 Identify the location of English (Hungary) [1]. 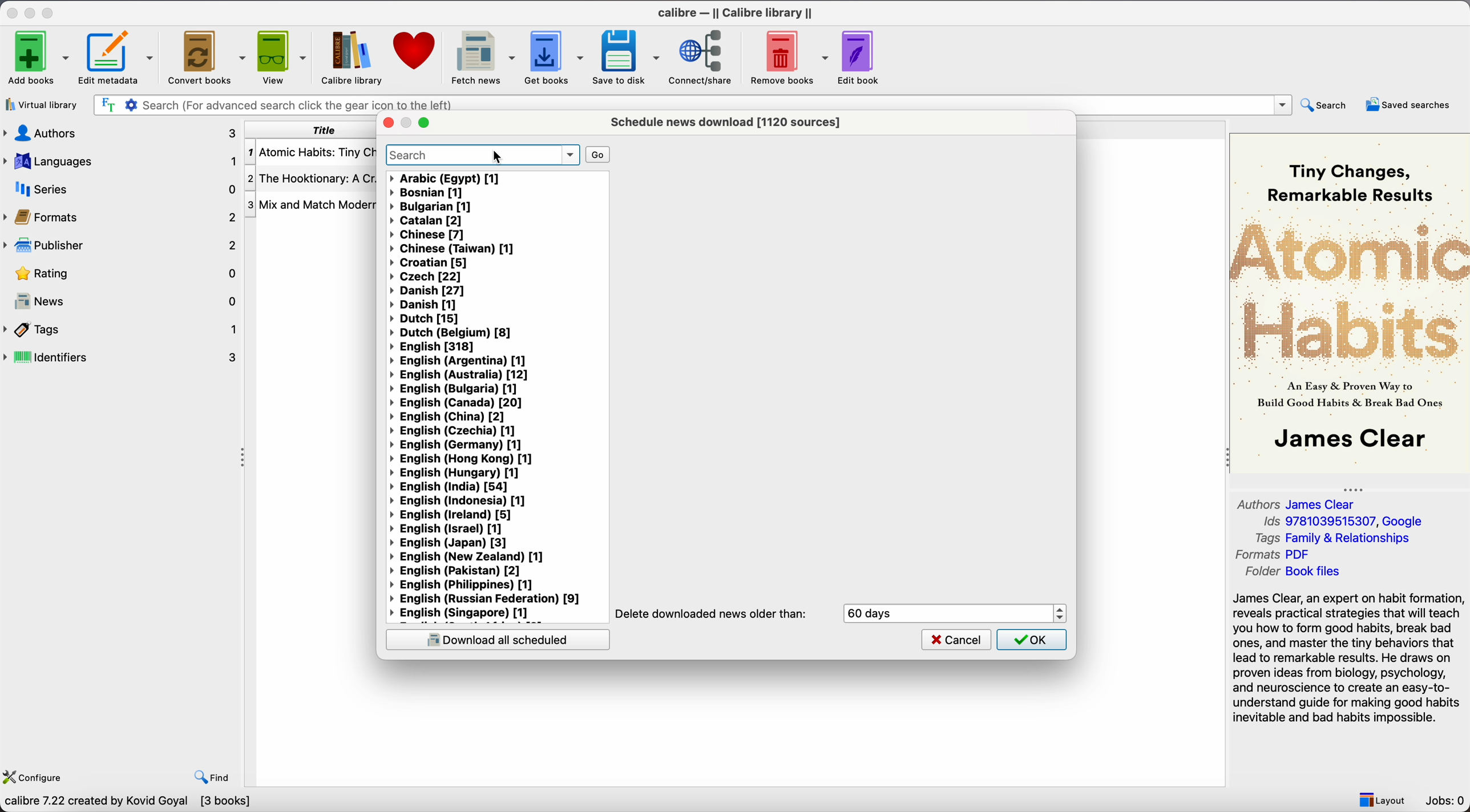
(457, 473).